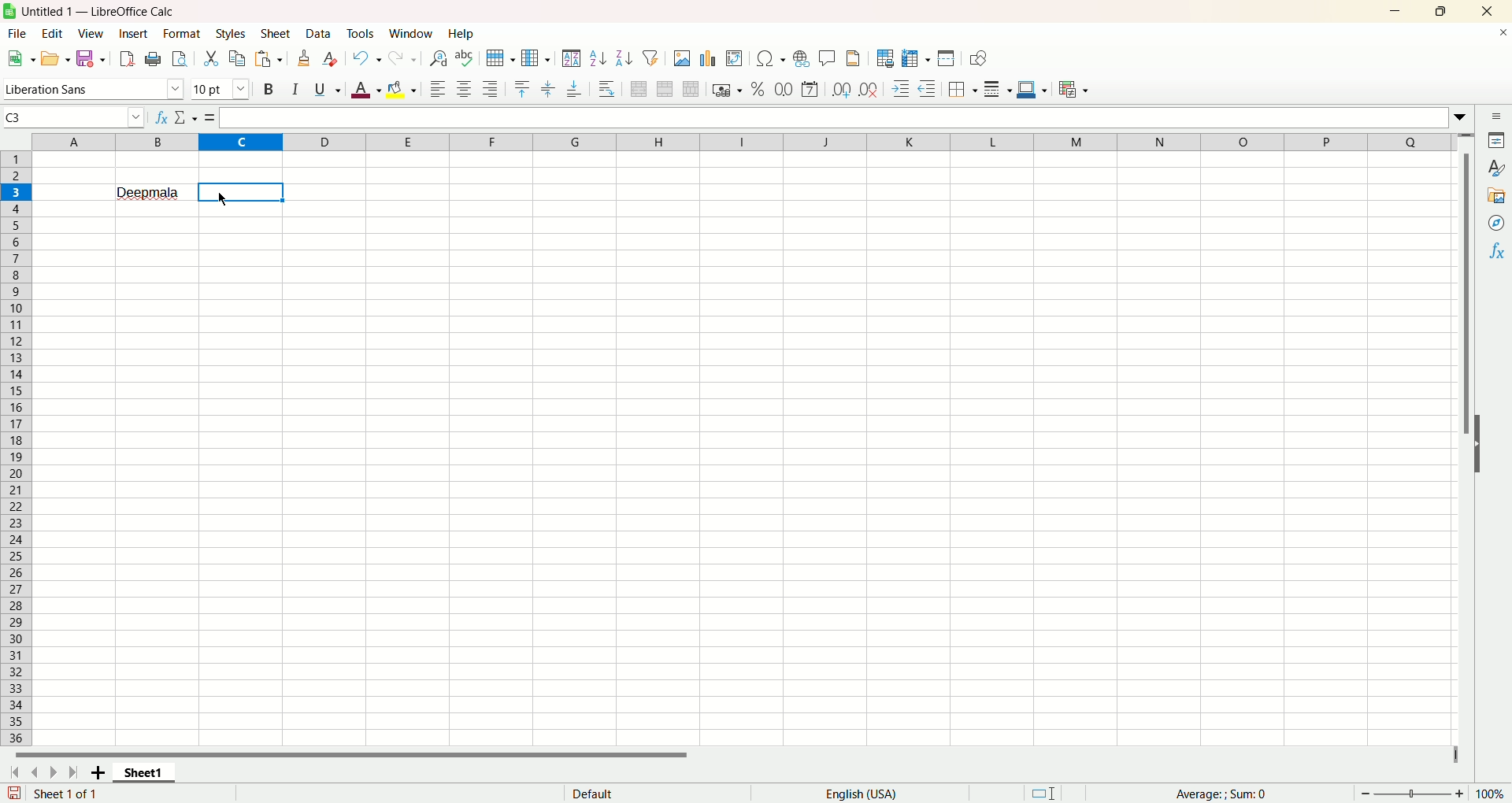 The height and width of the screenshot is (803, 1512). What do you see at coordinates (271, 89) in the screenshot?
I see `Bold` at bounding box center [271, 89].